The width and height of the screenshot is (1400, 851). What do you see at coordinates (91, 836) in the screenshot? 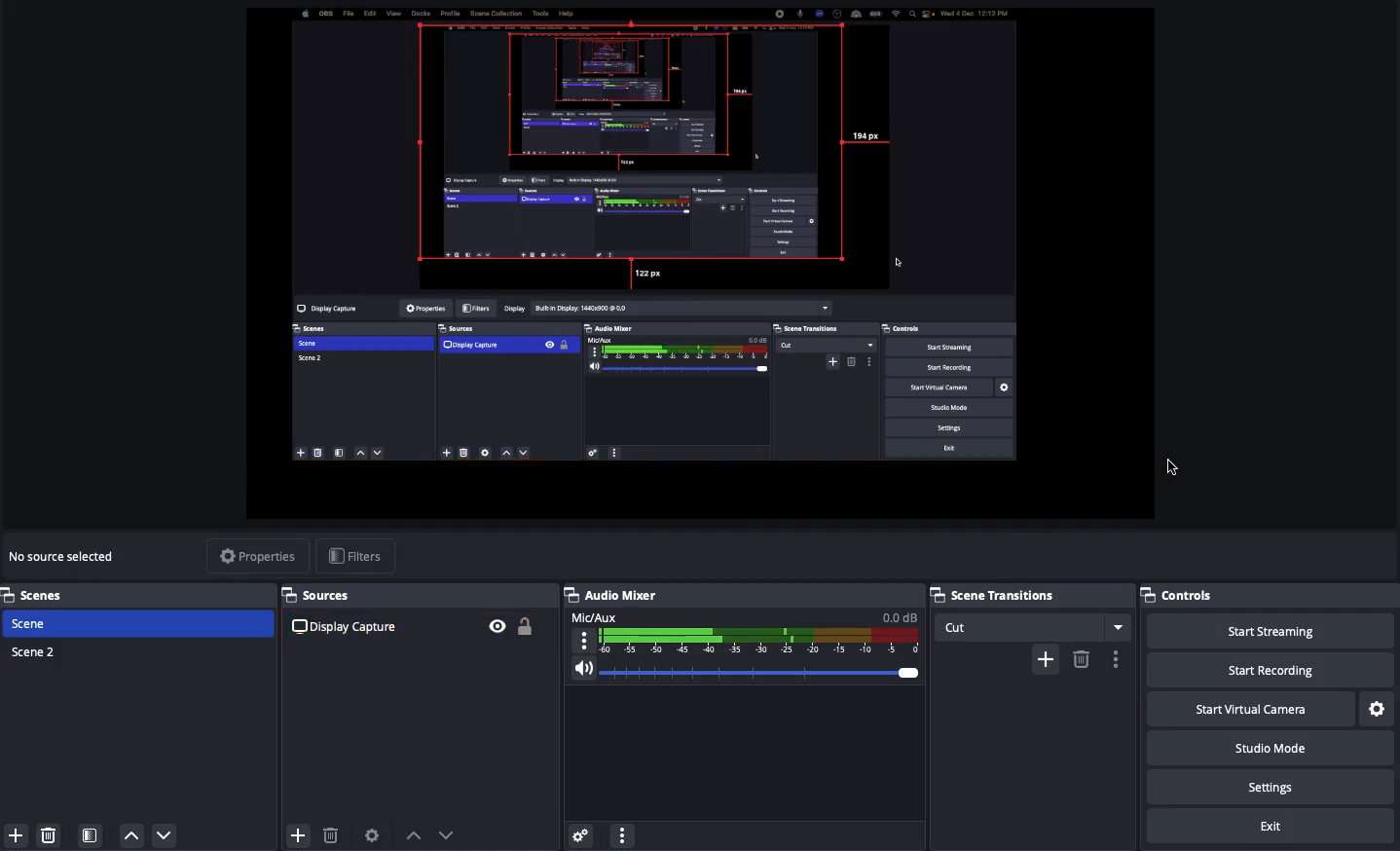
I see `Scene filter` at bounding box center [91, 836].